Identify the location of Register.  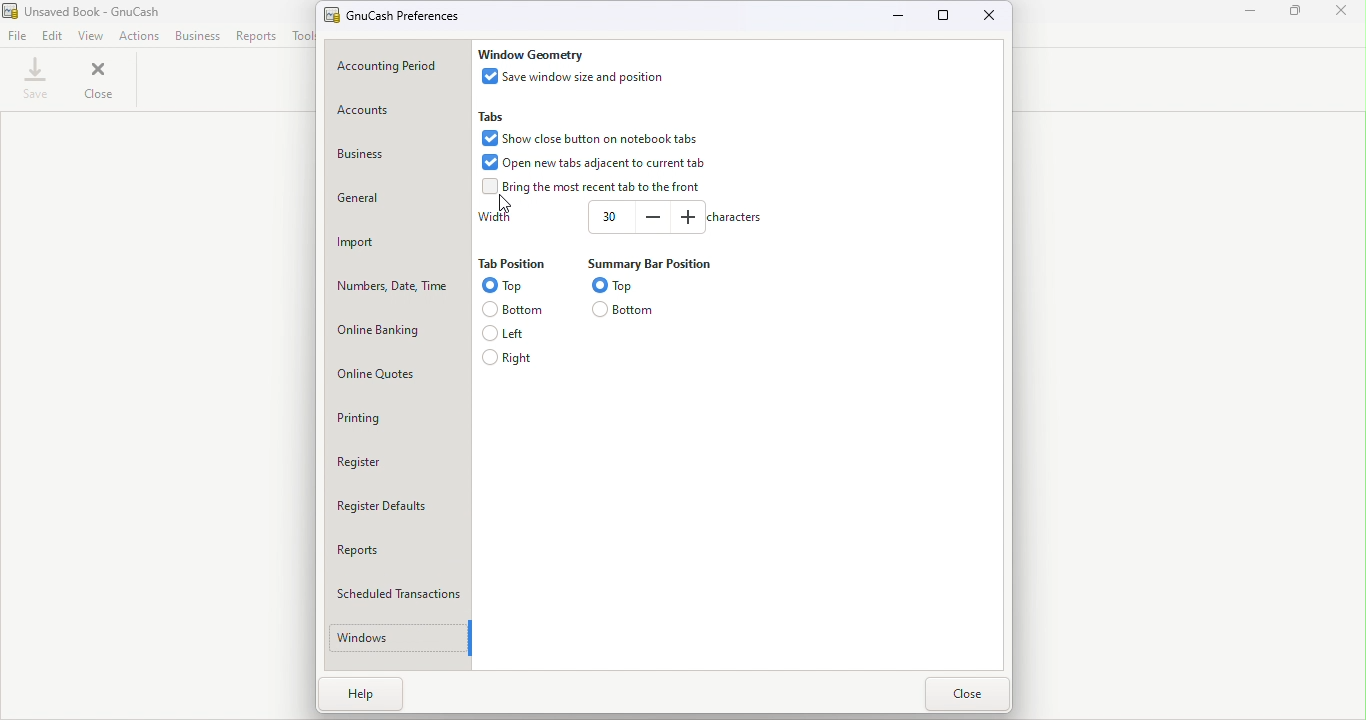
(398, 460).